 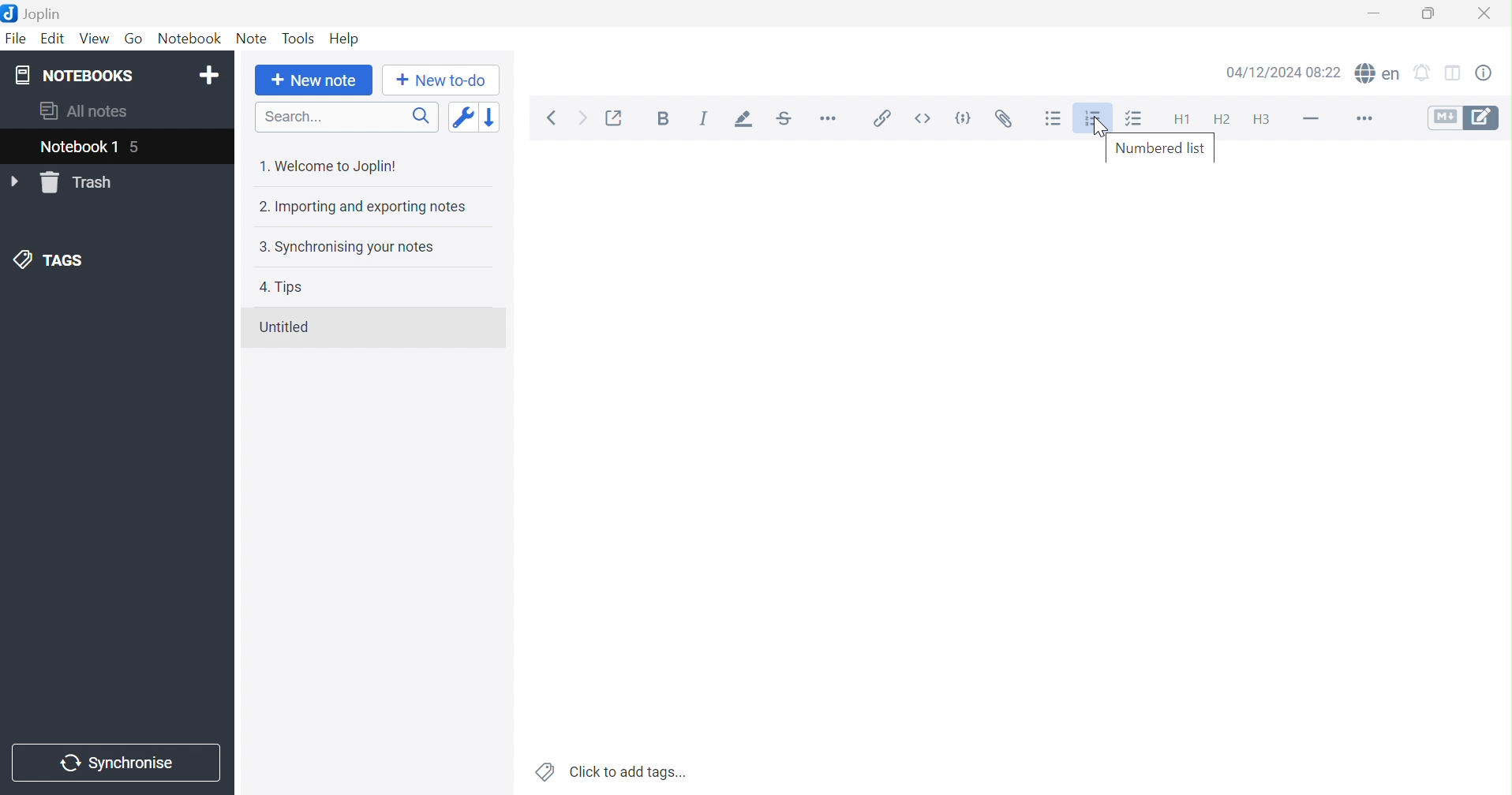 I want to click on Edit, so click(x=54, y=39).